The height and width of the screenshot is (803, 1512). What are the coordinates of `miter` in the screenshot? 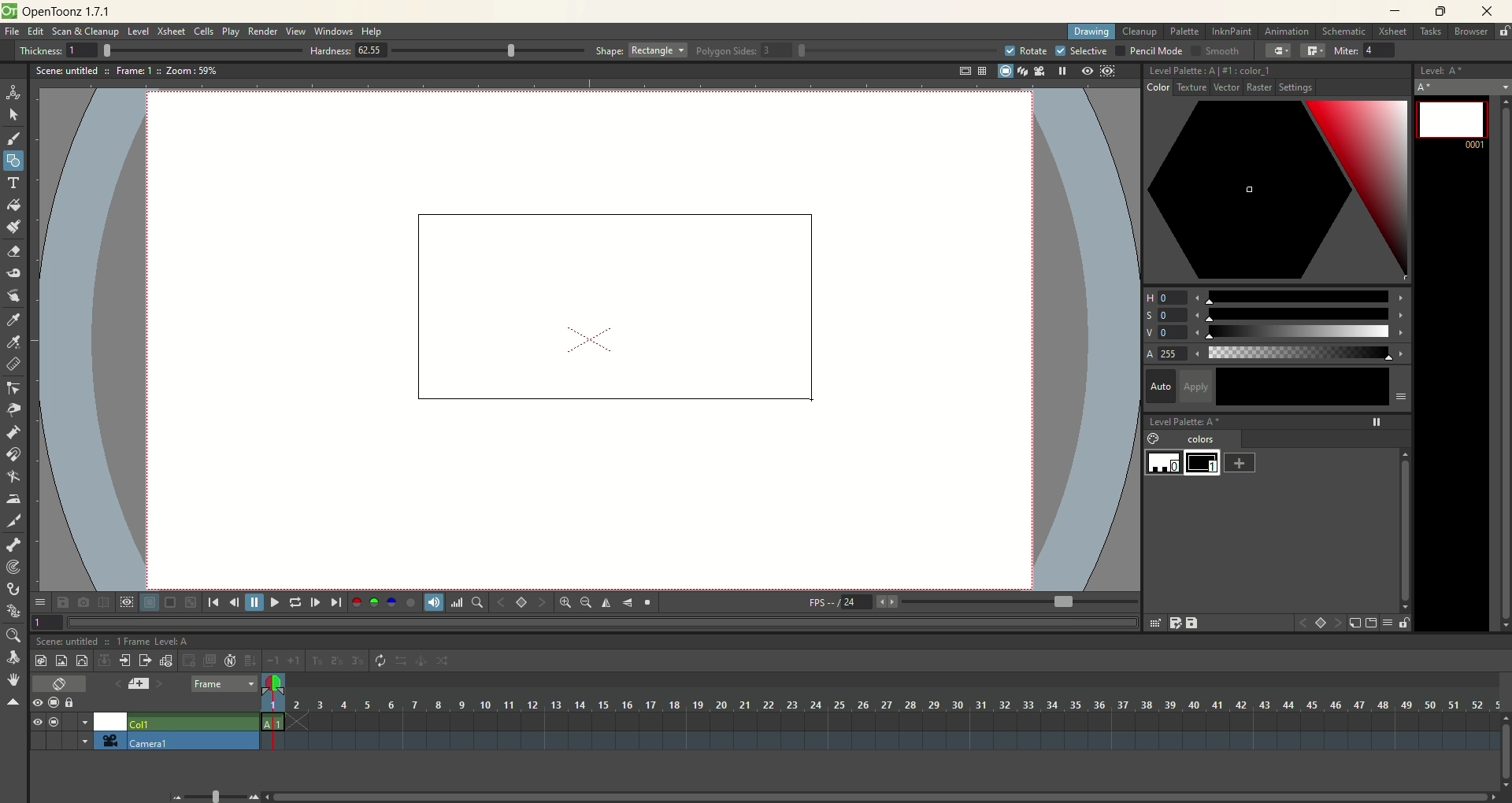 It's located at (1367, 50).